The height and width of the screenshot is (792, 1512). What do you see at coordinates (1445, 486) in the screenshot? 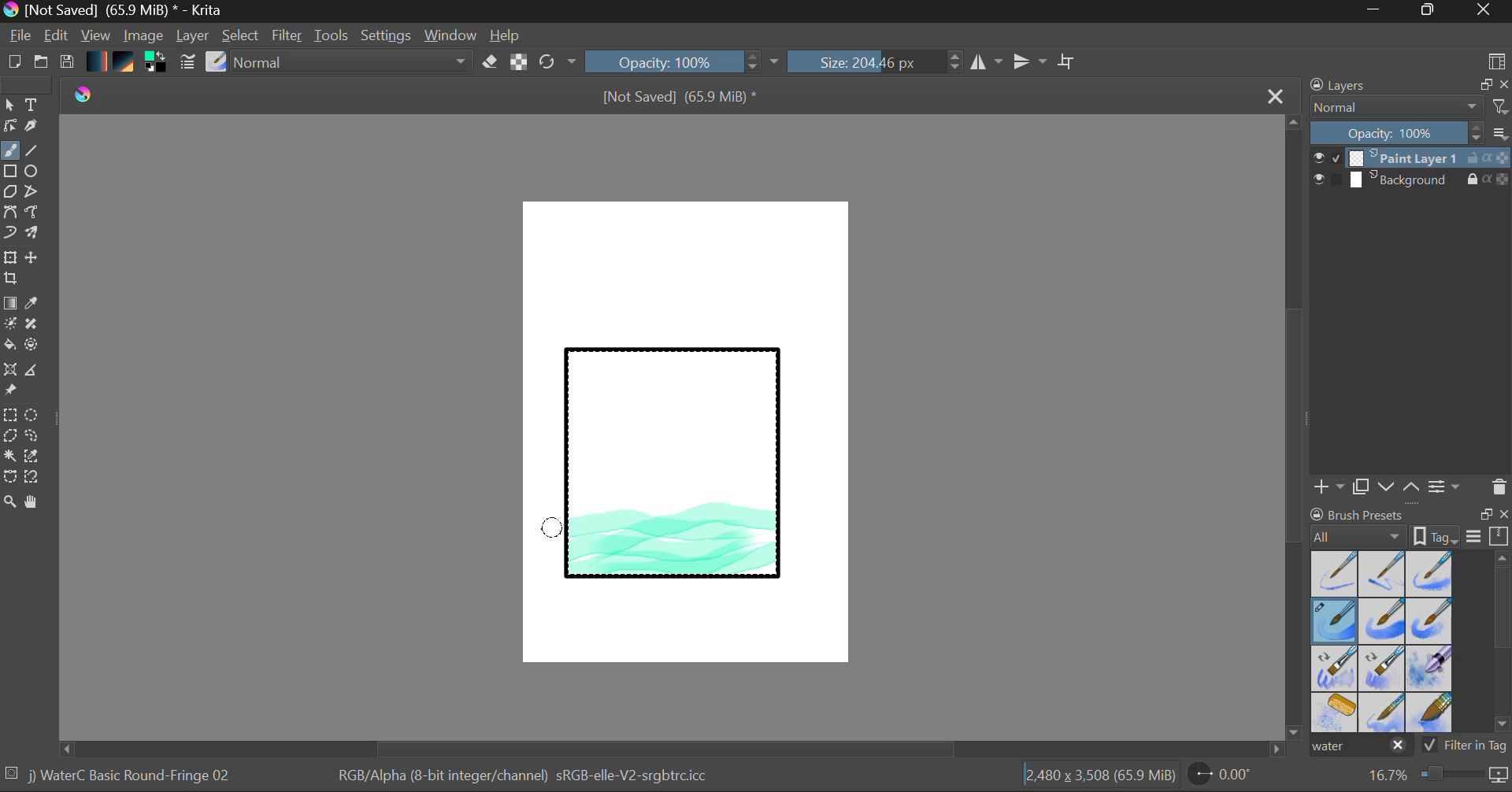
I see `Layer Settings` at bounding box center [1445, 486].